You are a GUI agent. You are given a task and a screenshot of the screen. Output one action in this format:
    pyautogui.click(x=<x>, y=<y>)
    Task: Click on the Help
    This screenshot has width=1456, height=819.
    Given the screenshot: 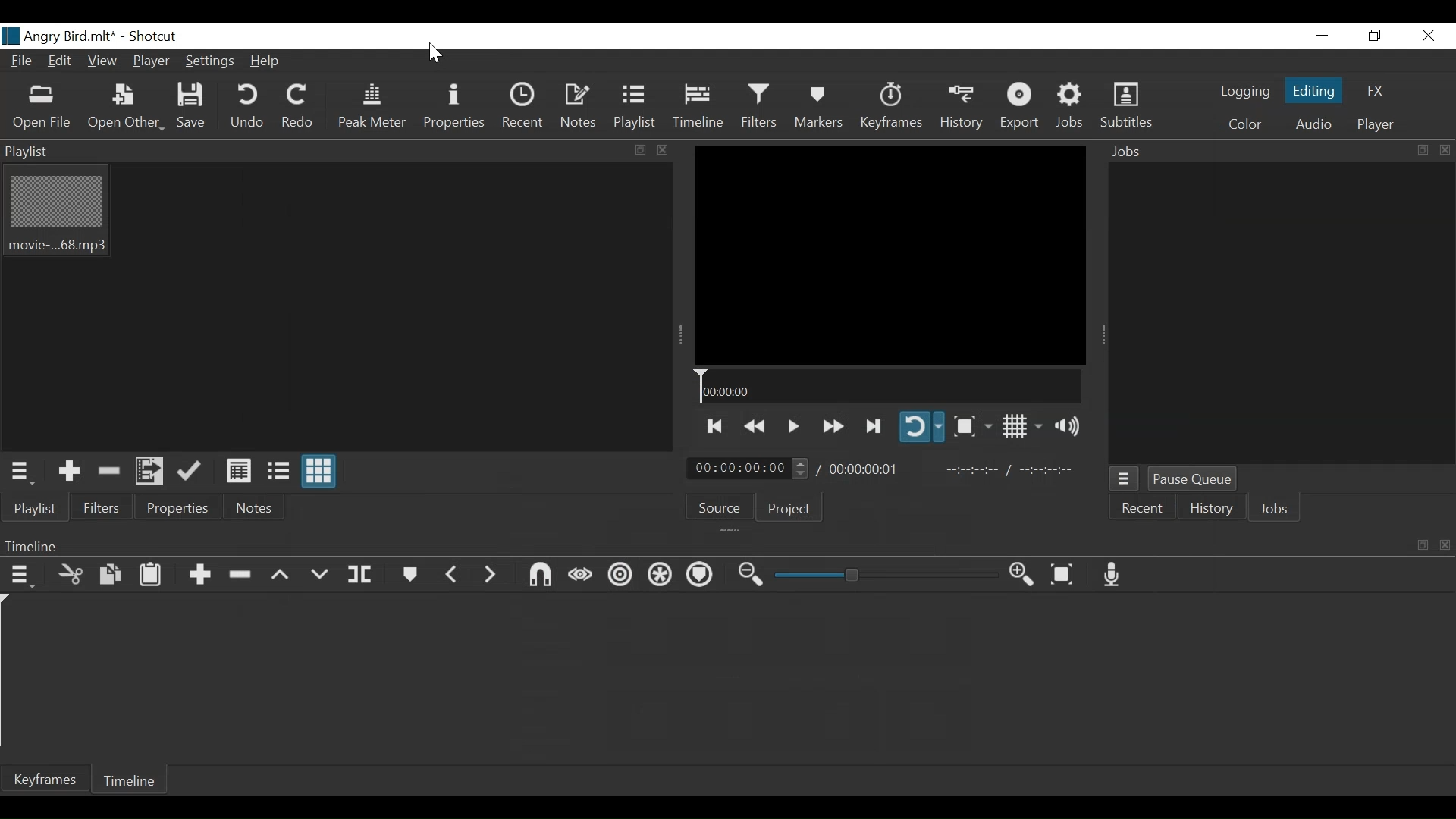 What is the action you would take?
    pyautogui.click(x=266, y=61)
    